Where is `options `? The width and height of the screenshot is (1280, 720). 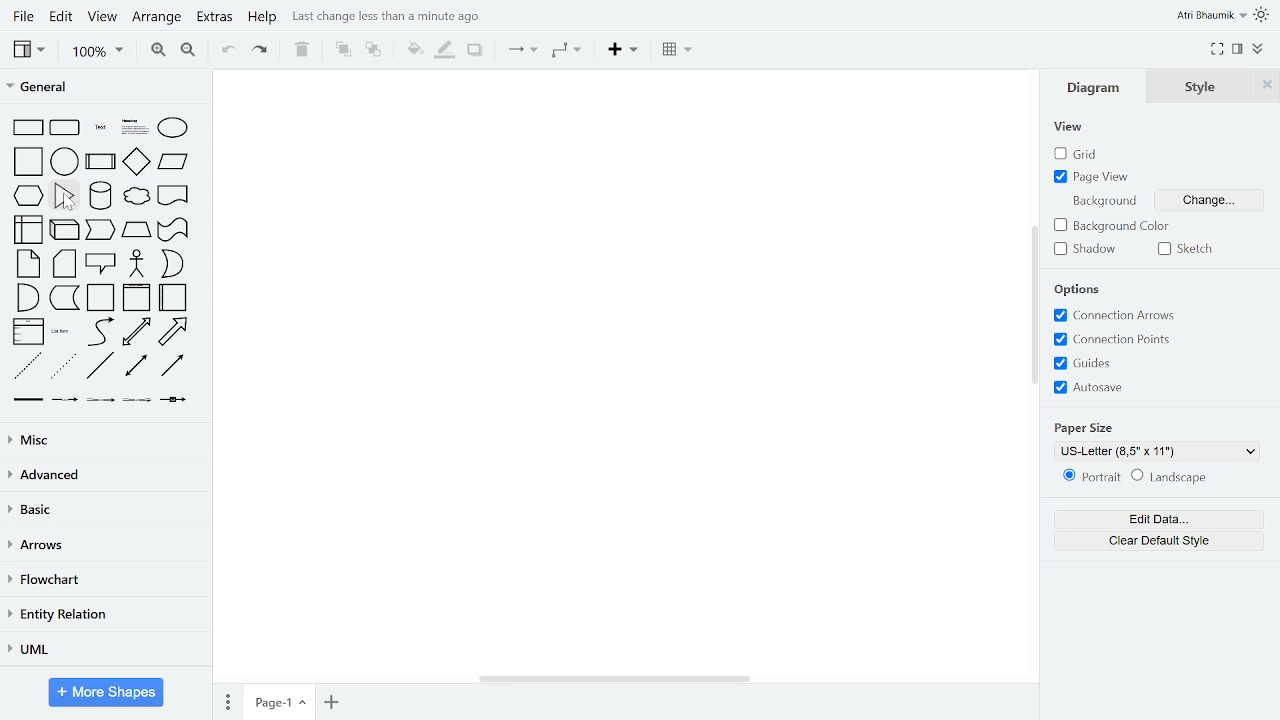 options  is located at coordinates (1080, 288).